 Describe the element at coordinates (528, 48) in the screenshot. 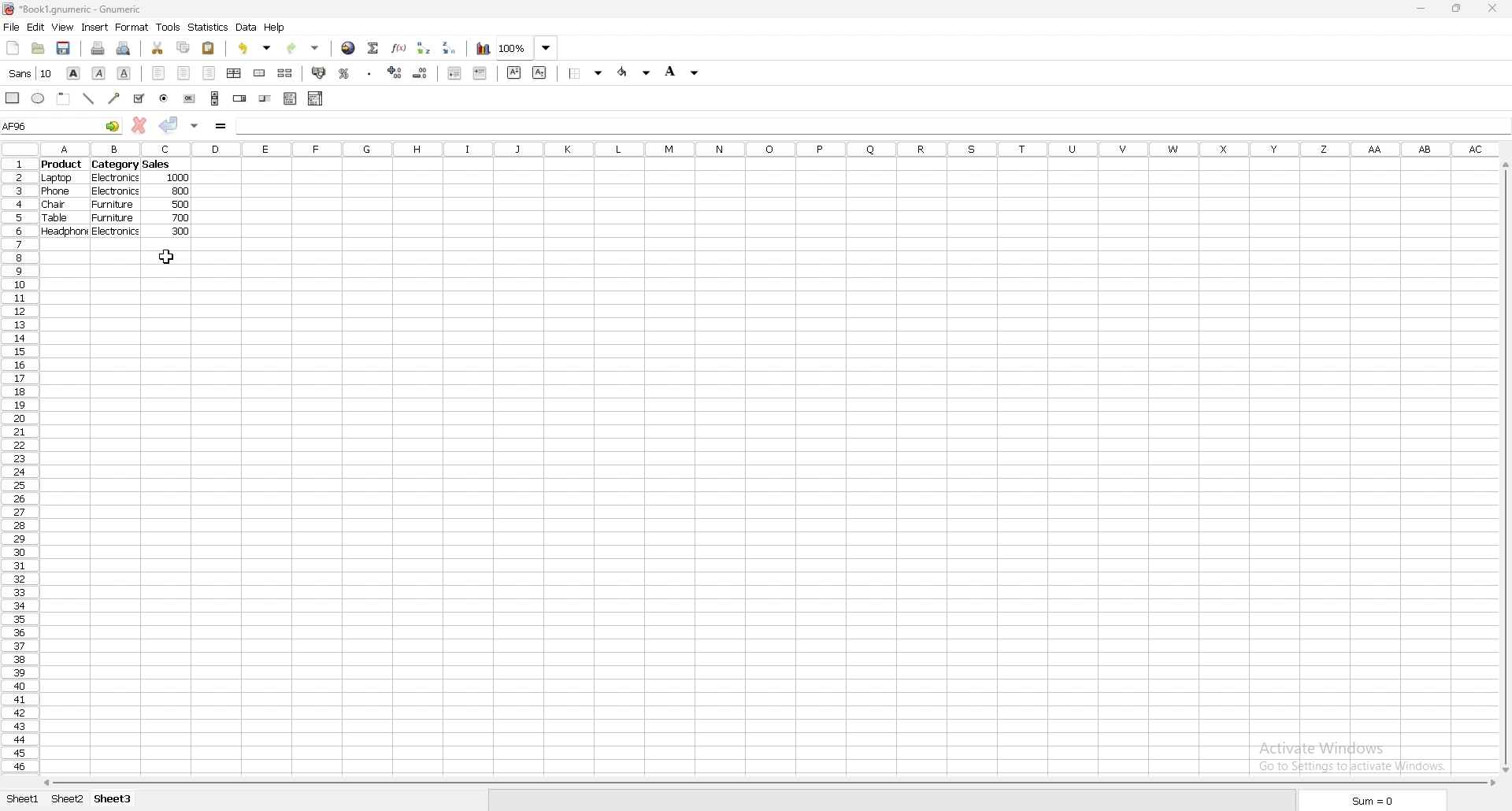

I see `zoom` at that location.